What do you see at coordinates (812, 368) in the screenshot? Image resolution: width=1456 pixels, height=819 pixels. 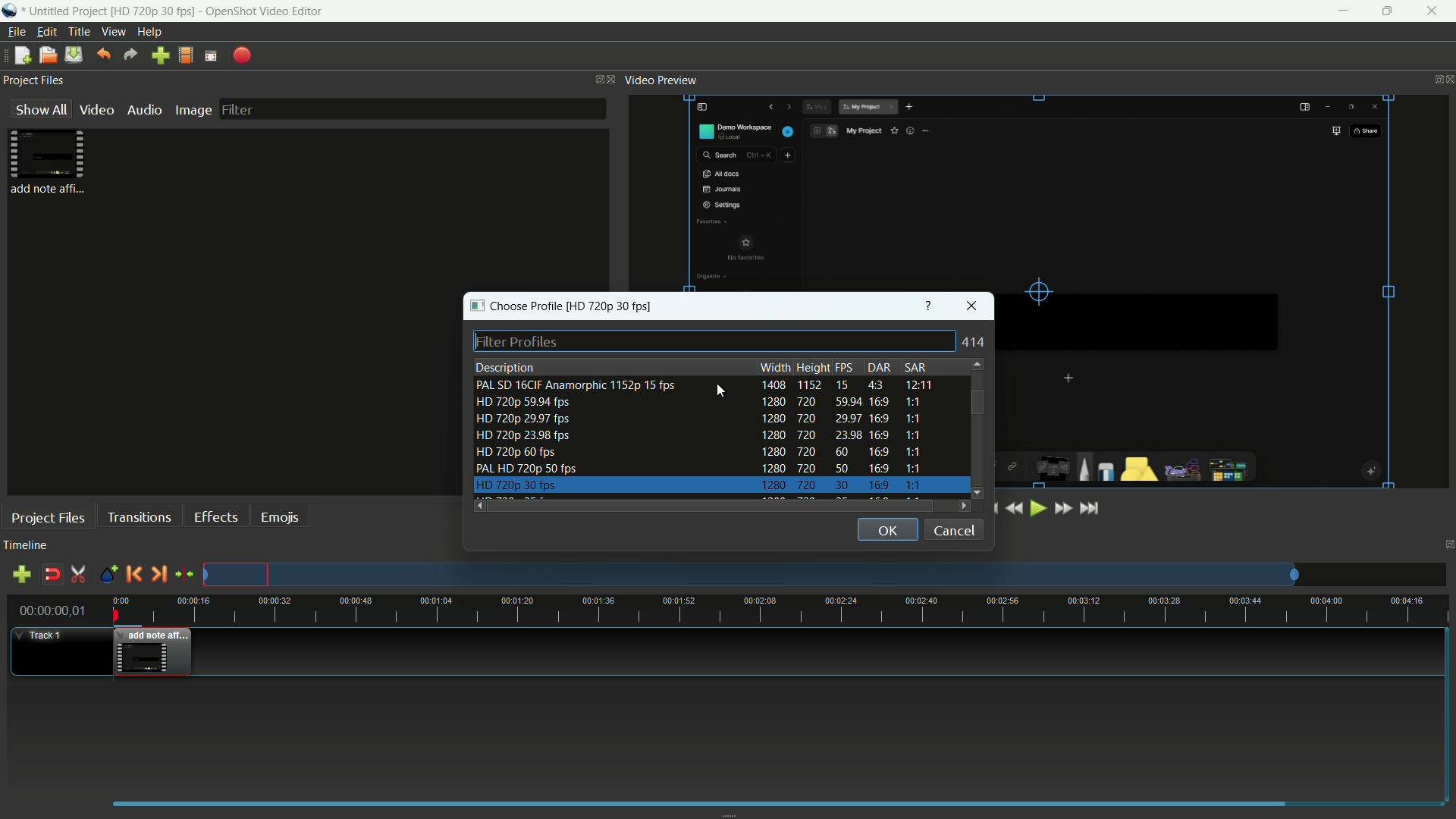 I see `height` at bounding box center [812, 368].